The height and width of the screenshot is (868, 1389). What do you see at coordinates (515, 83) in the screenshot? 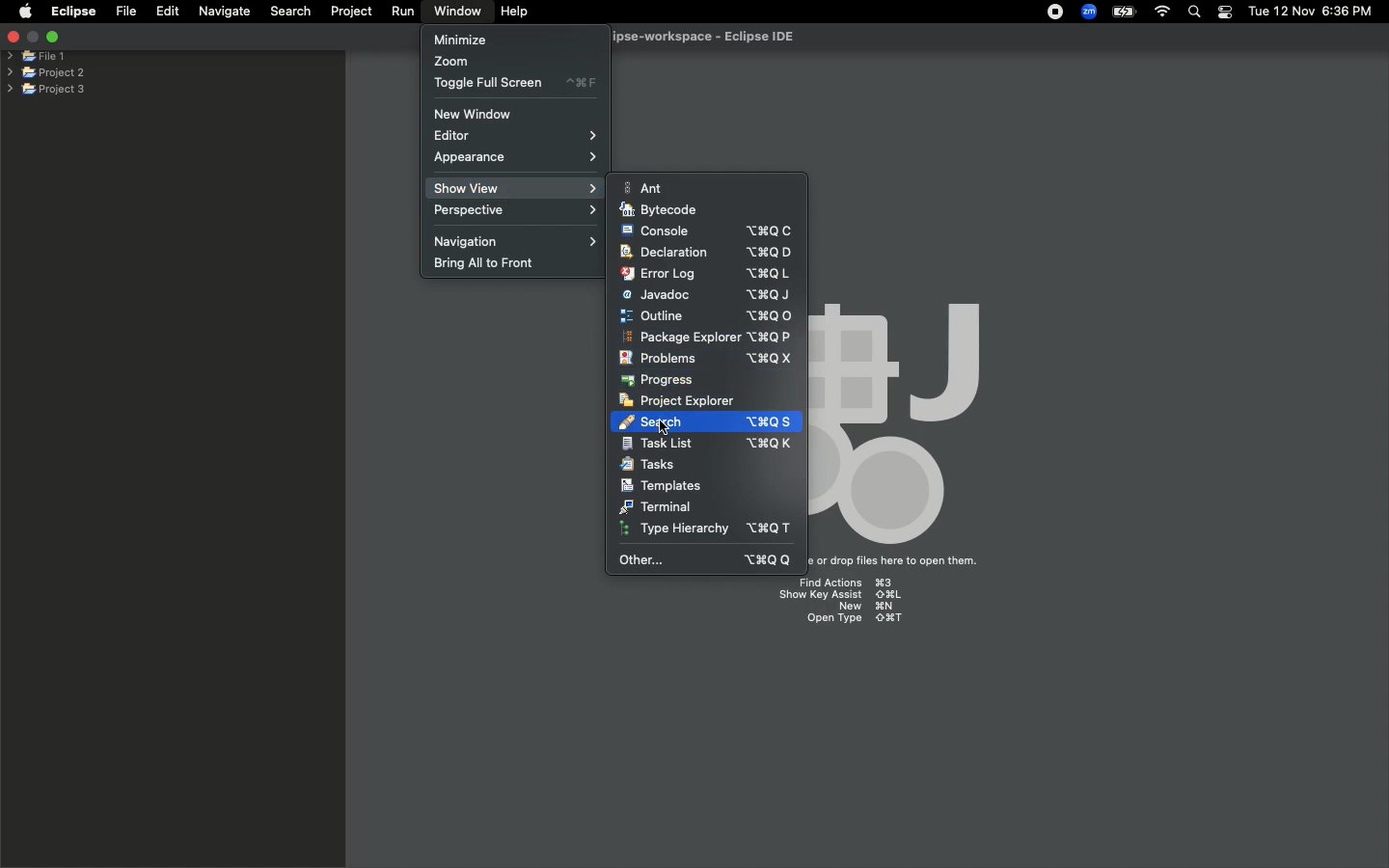
I see `Toggle full screen` at bounding box center [515, 83].